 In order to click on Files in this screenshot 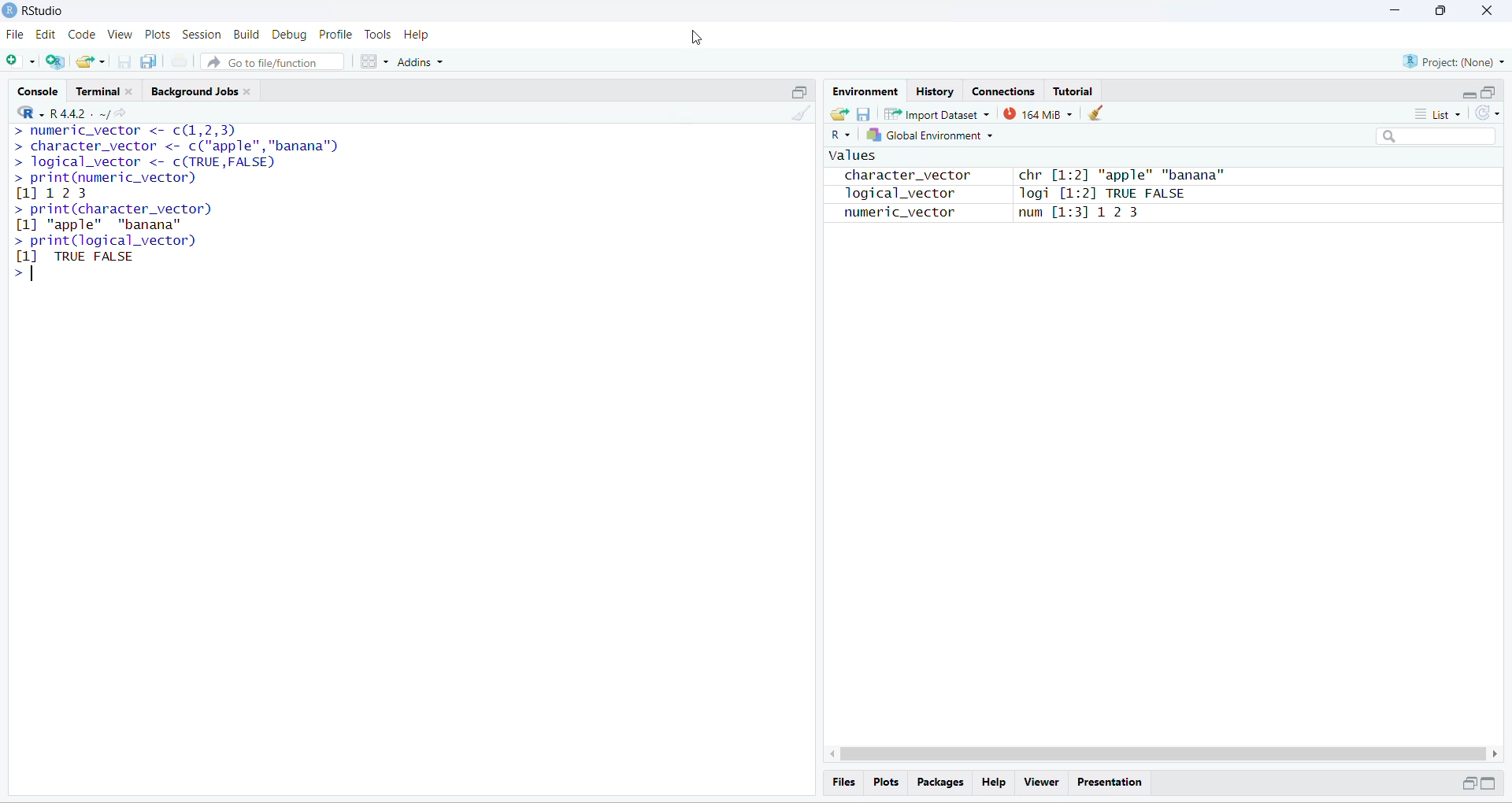, I will do `click(844, 782)`.